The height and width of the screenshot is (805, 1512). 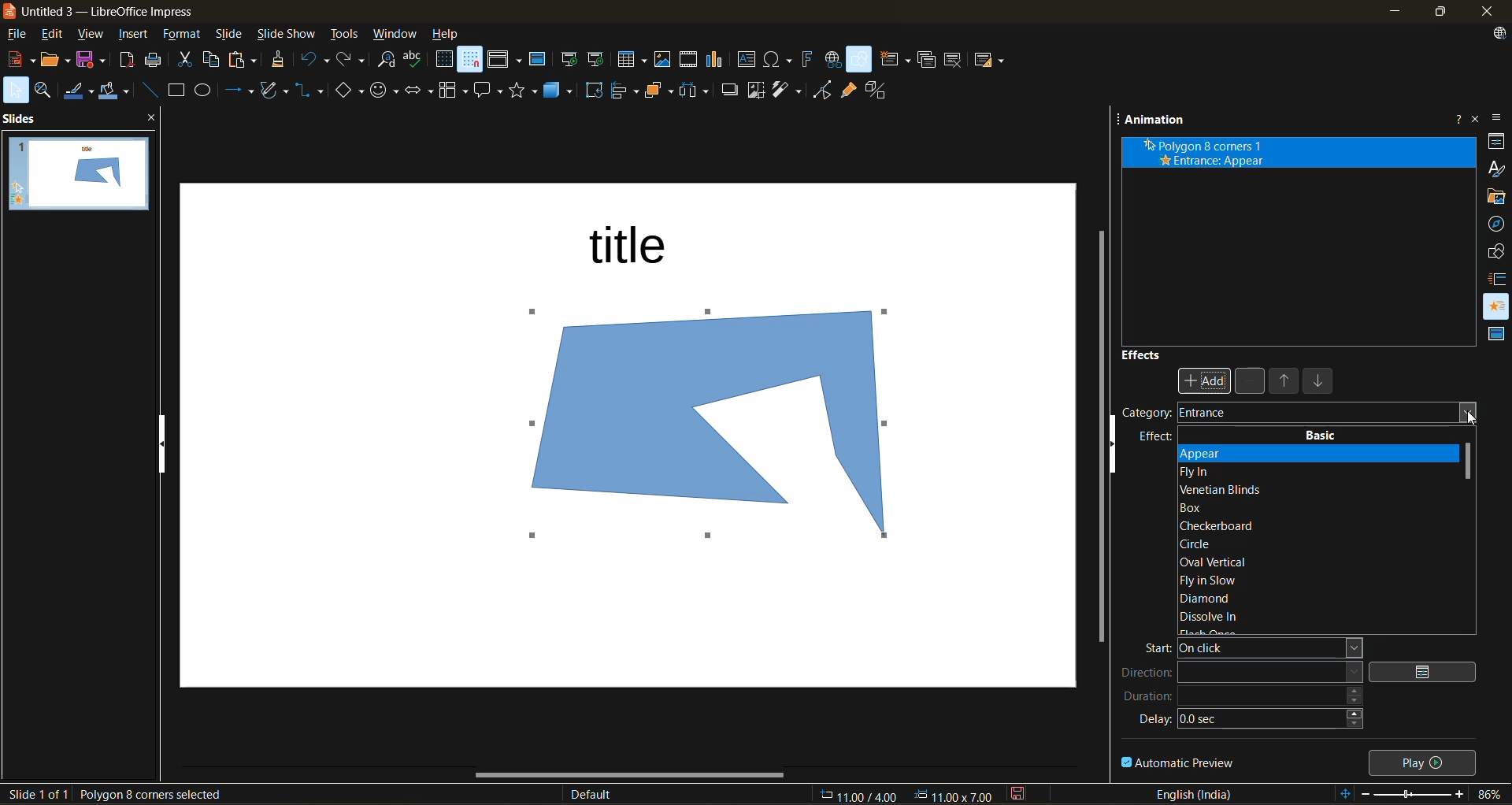 What do you see at coordinates (779, 61) in the screenshot?
I see `insert special characters` at bounding box center [779, 61].